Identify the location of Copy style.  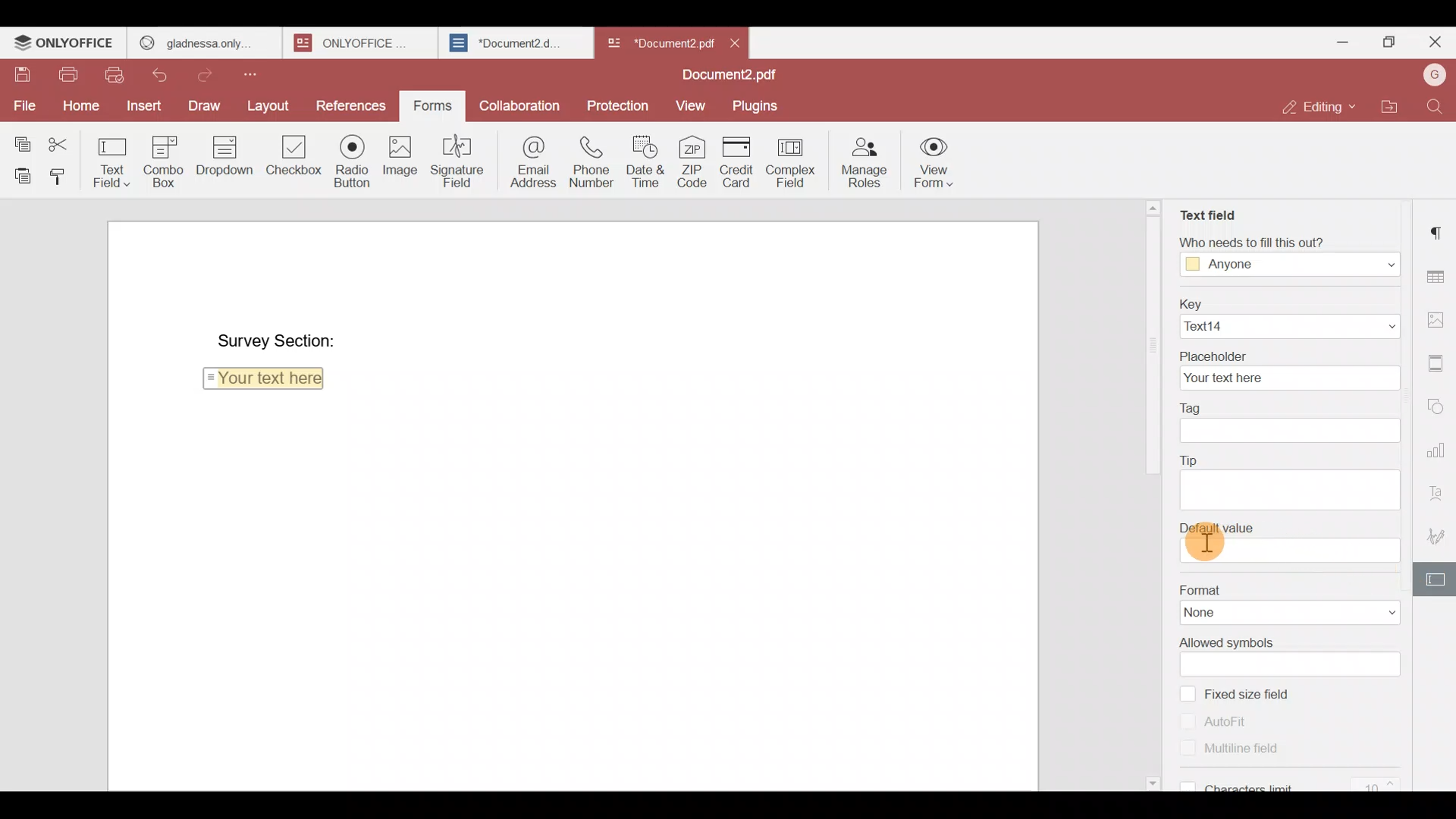
(59, 173).